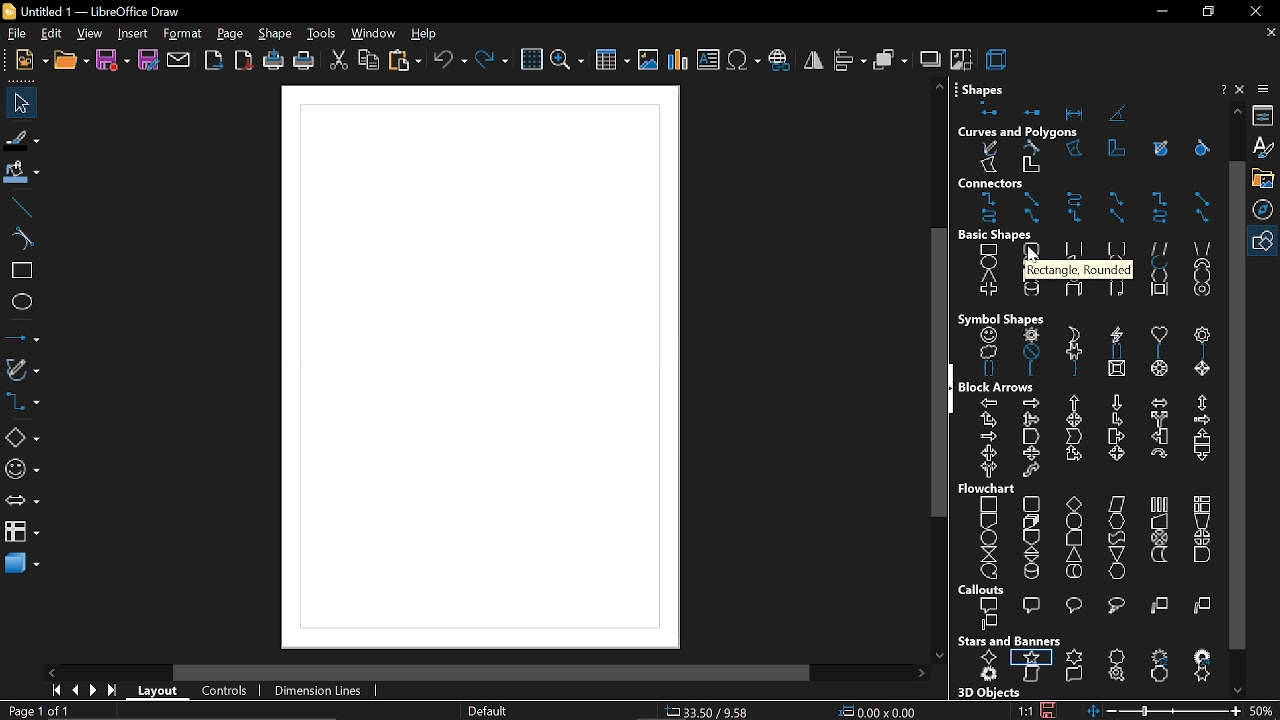  What do you see at coordinates (1091, 158) in the screenshot?
I see `curves and polygons` at bounding box center [1091, 158].